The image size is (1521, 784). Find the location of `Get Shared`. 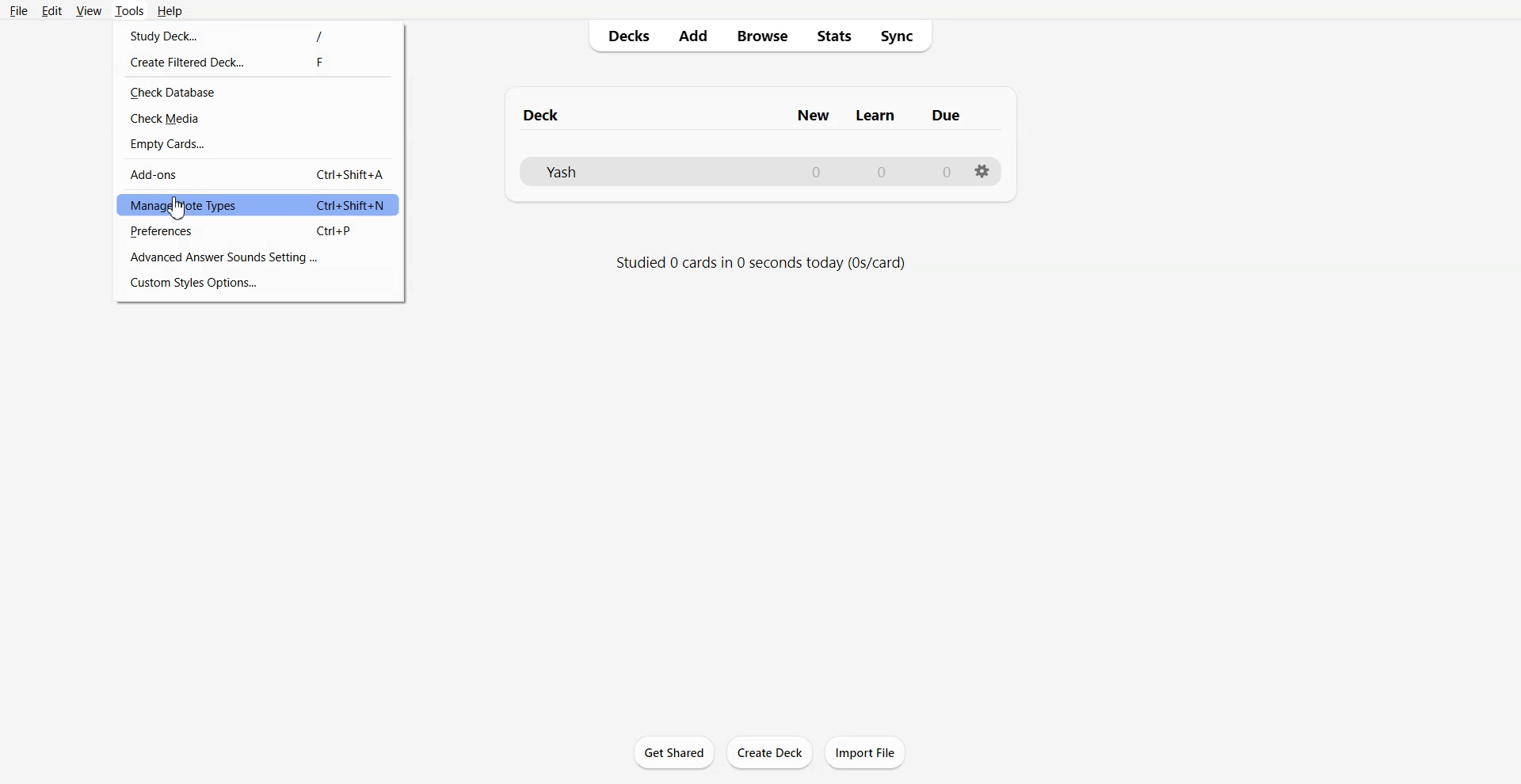

Get Shared is located at coordinates (674, 752).